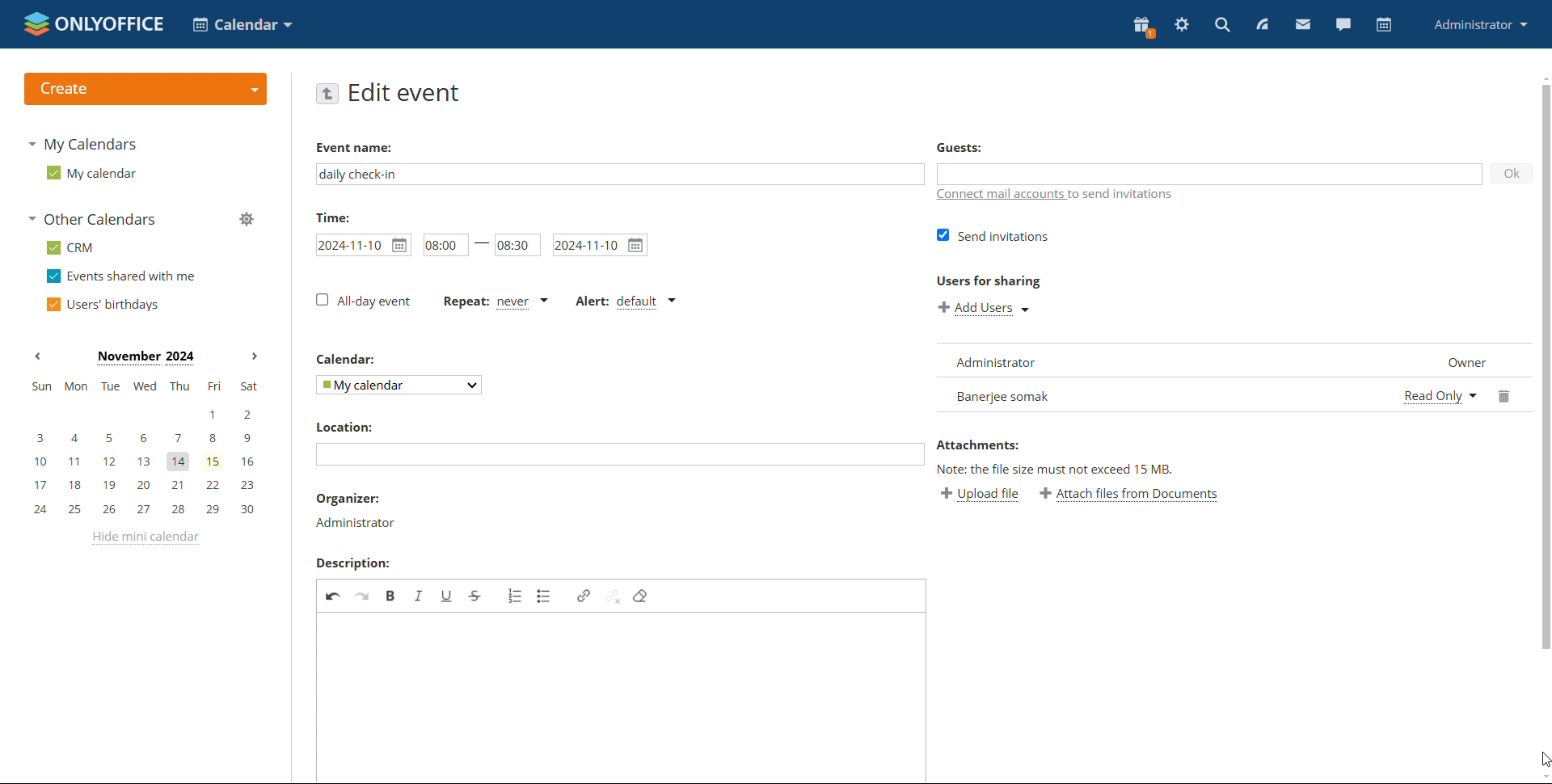 This screenshot has width=1552, height=784. What do you see at coordinates (620, 455) in the screenshot?
I see `add location` at bounding box center [620, 455].